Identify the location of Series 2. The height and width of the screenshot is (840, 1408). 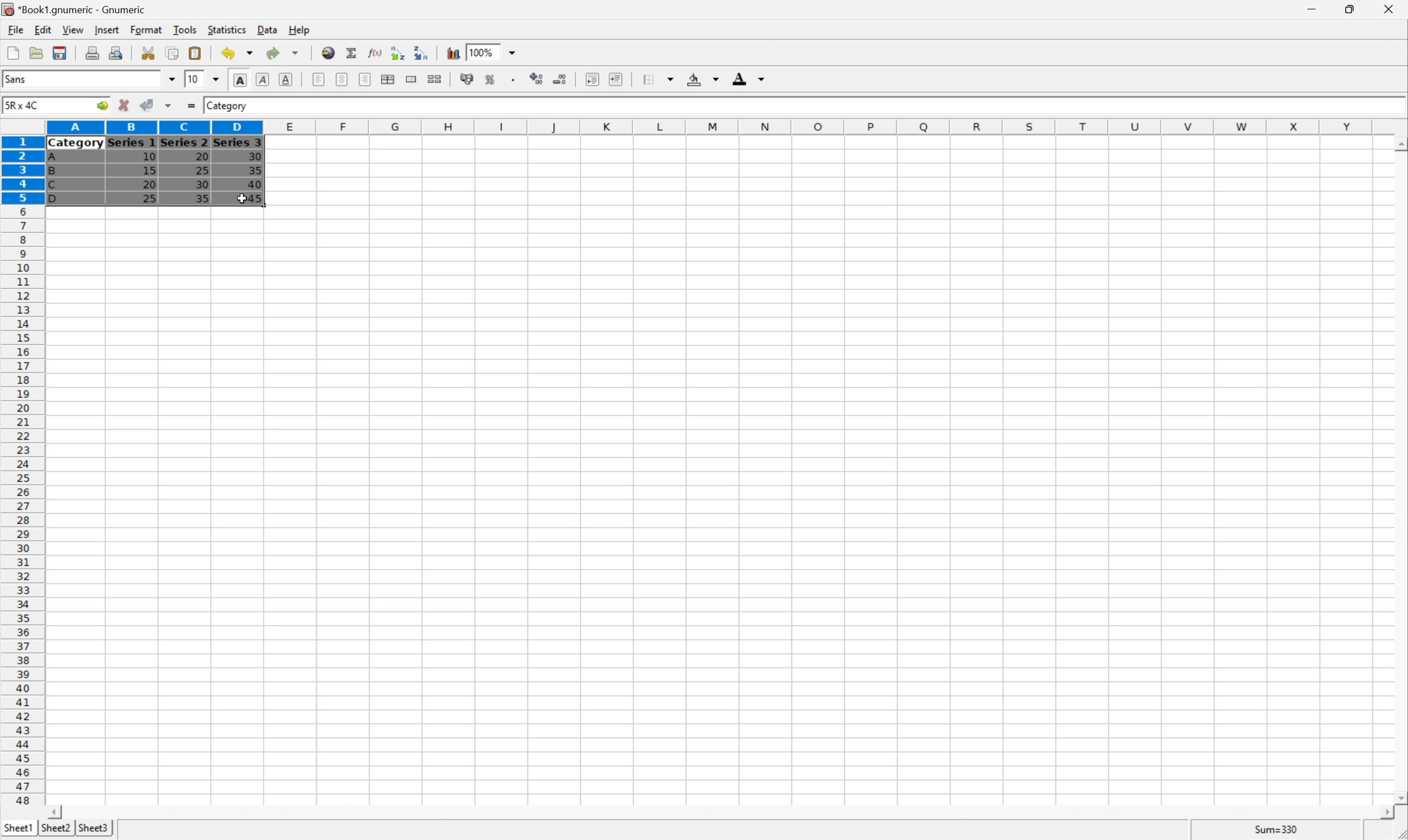
(183, 142).